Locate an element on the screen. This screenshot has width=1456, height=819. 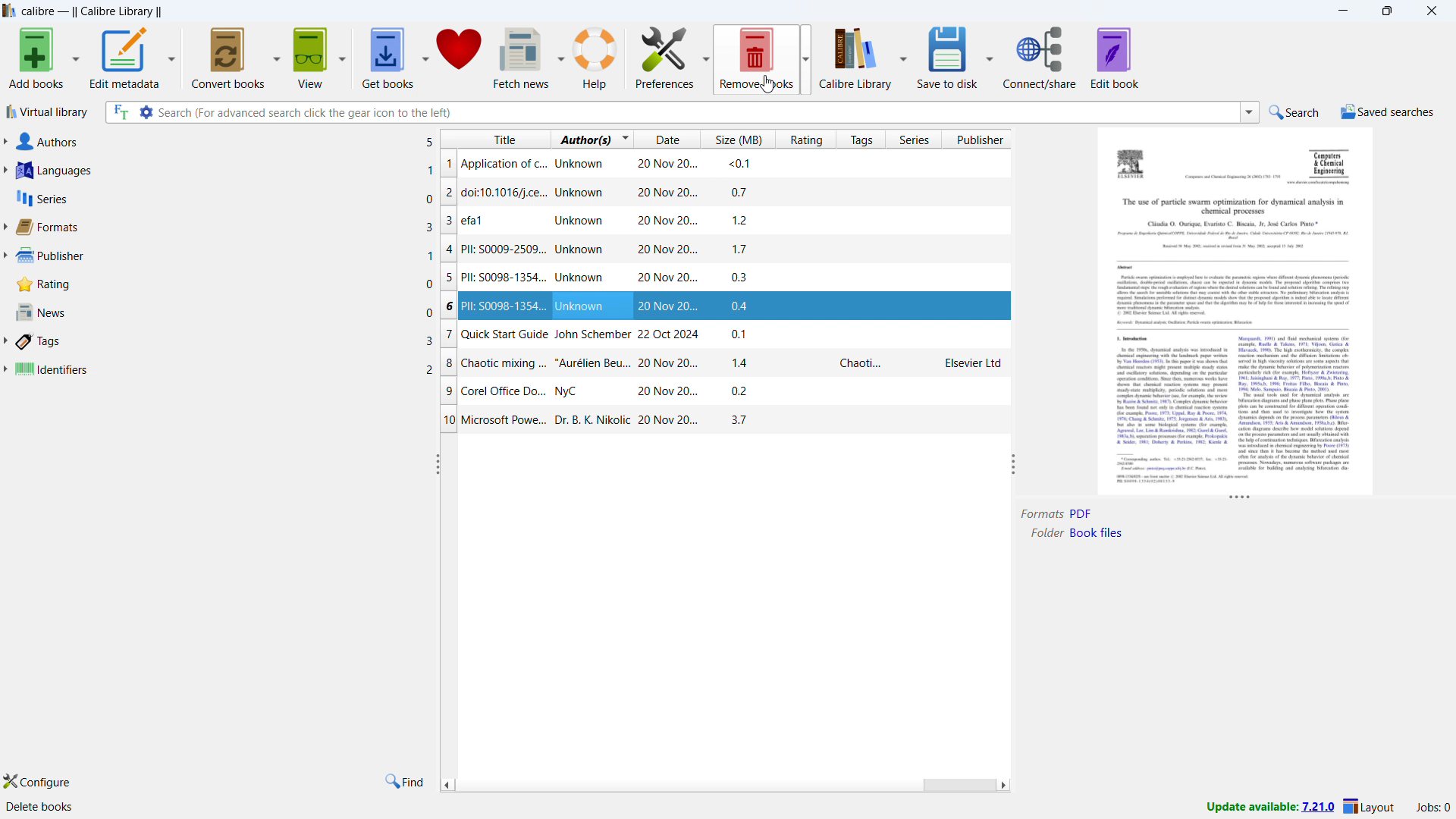
edit metadata options is located at coordinates (173, 55).